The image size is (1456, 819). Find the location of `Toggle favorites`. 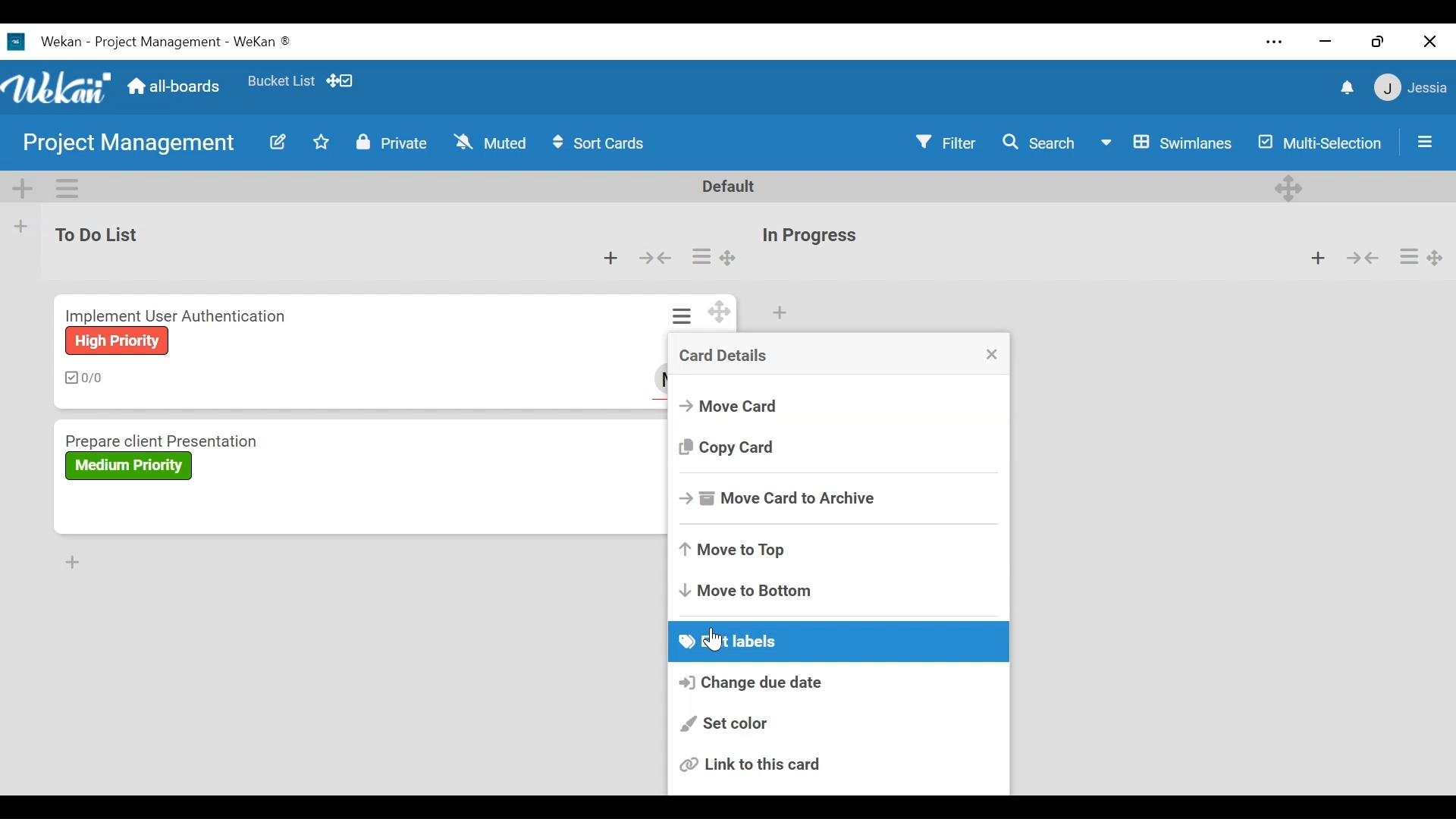

Toggle favorites is located at coordinates (322, 142).